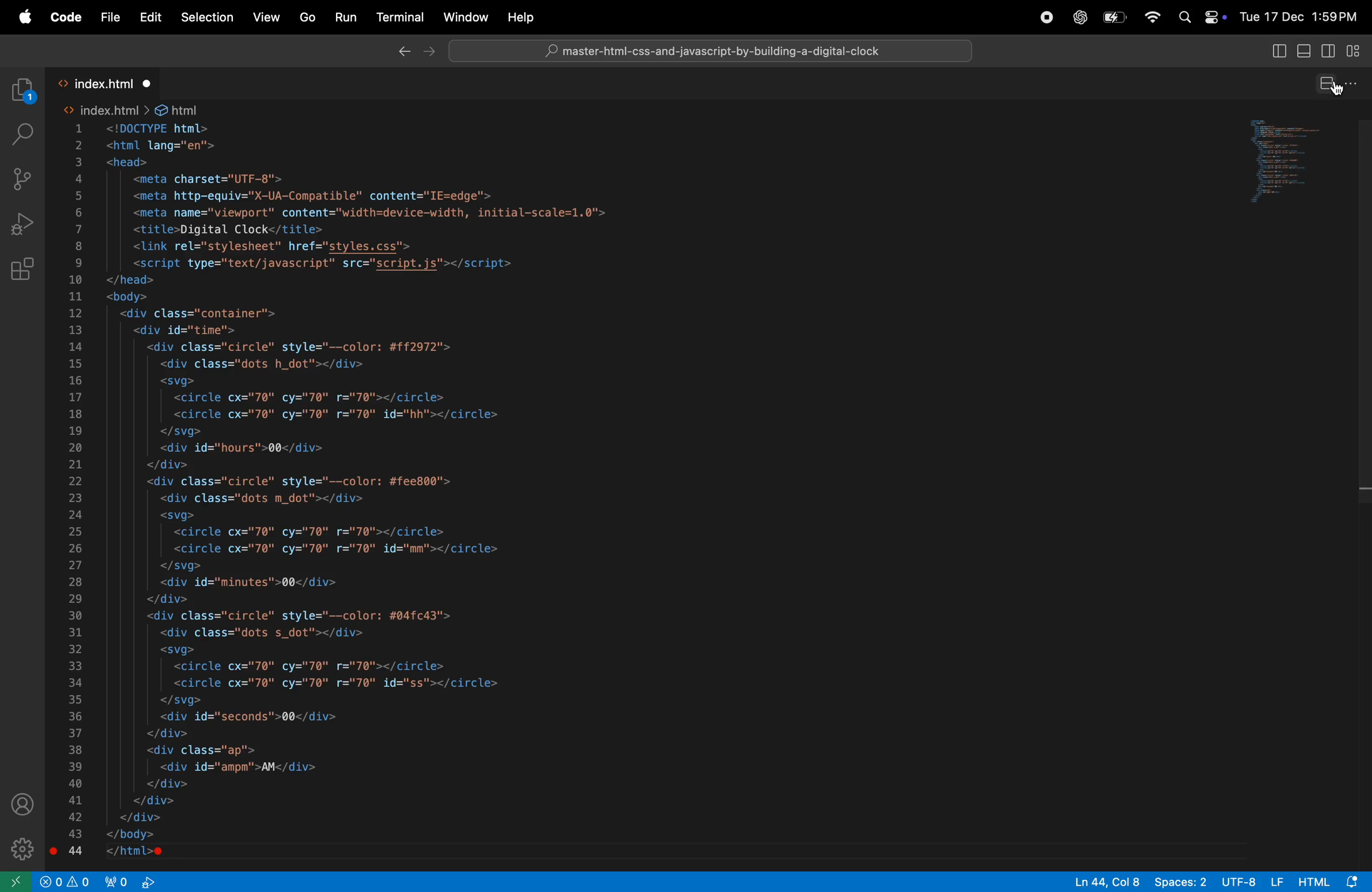 The width and height of the screenshot is (1372, 892). I want to click on run, so click(345, 19).